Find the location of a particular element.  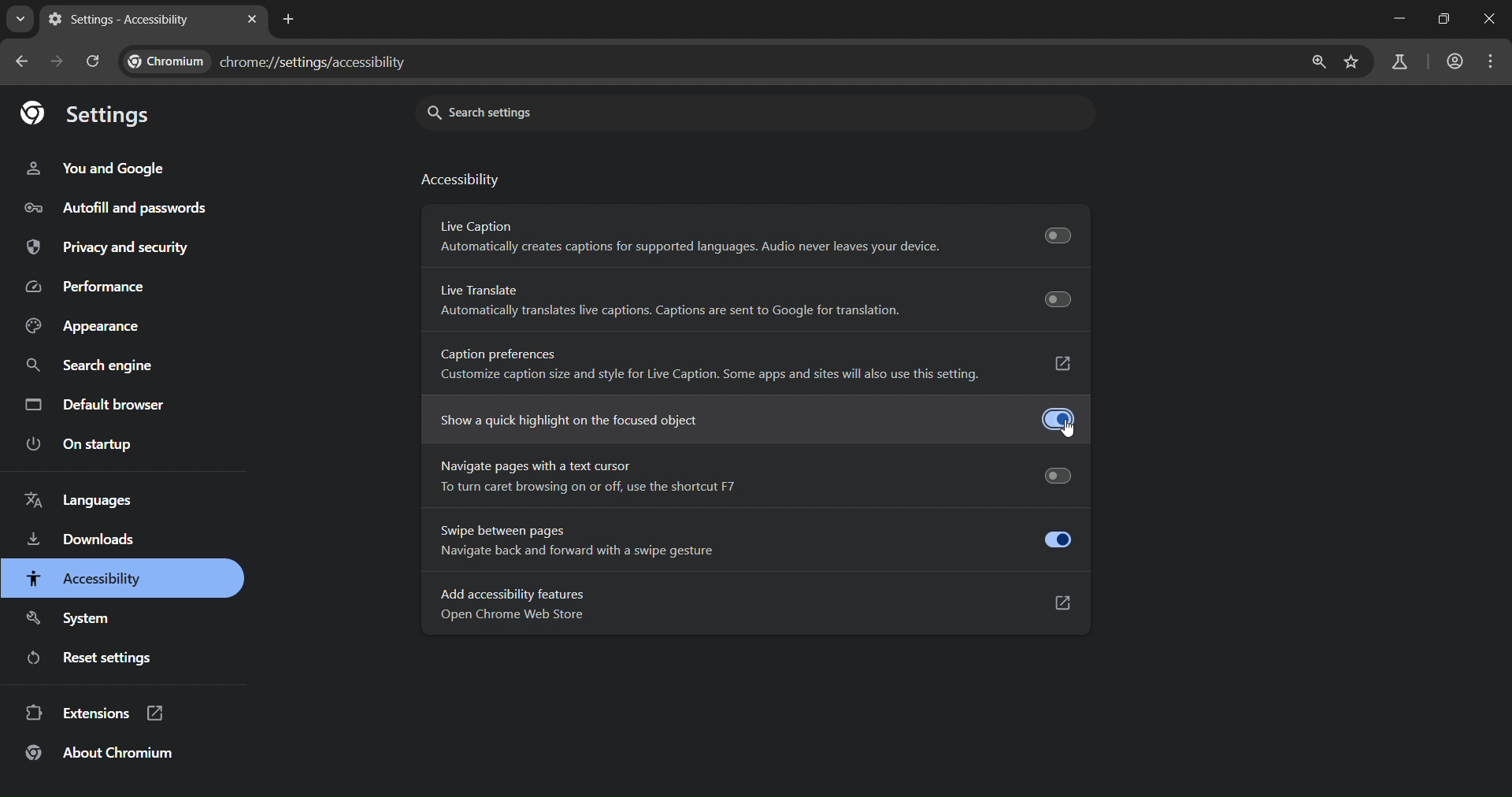

show a quick highlight on the focused object is located at coordinates (617, 420).